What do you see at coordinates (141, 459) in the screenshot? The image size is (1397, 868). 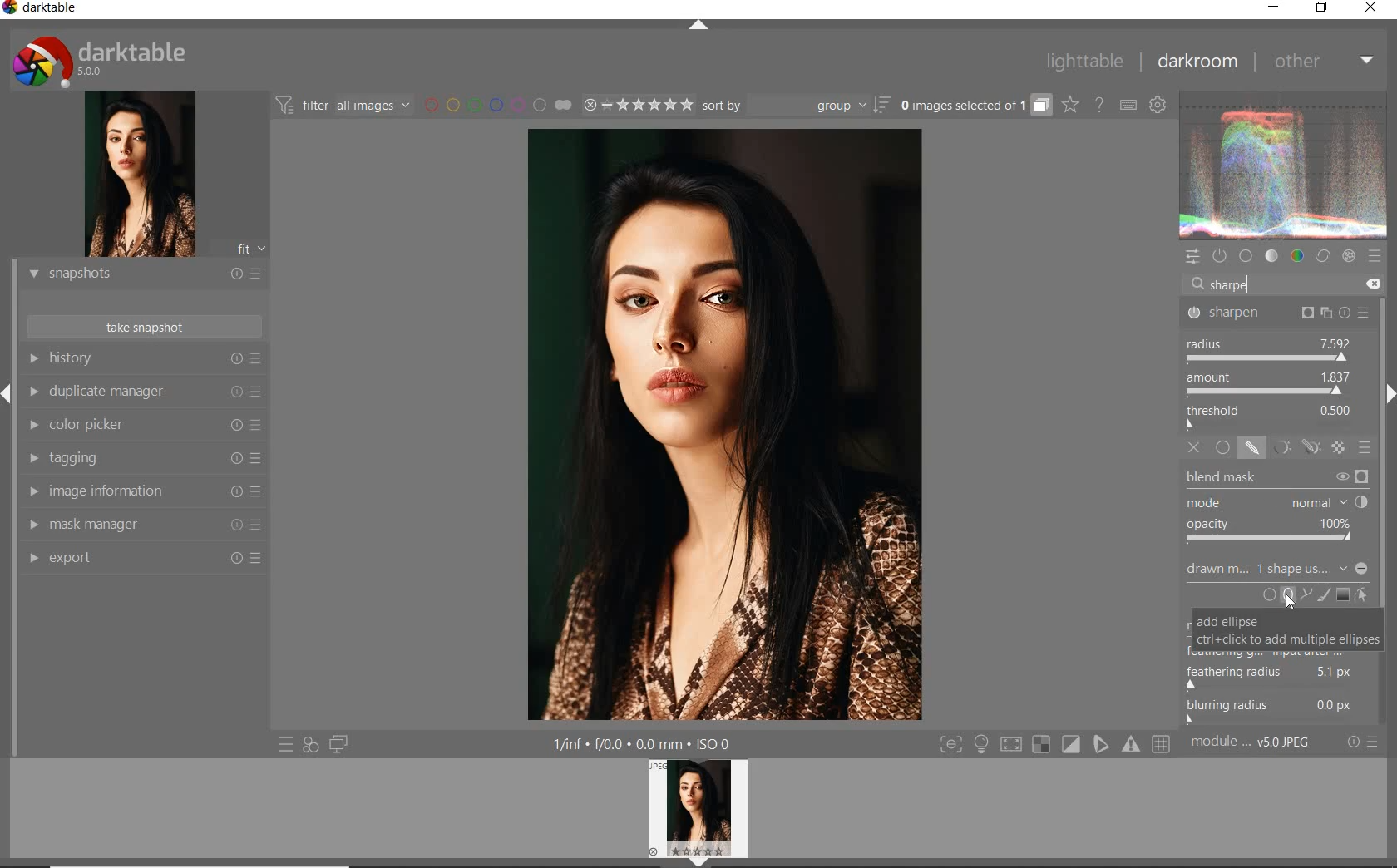 I see `TAGGING` at bounding box center [141, 459].